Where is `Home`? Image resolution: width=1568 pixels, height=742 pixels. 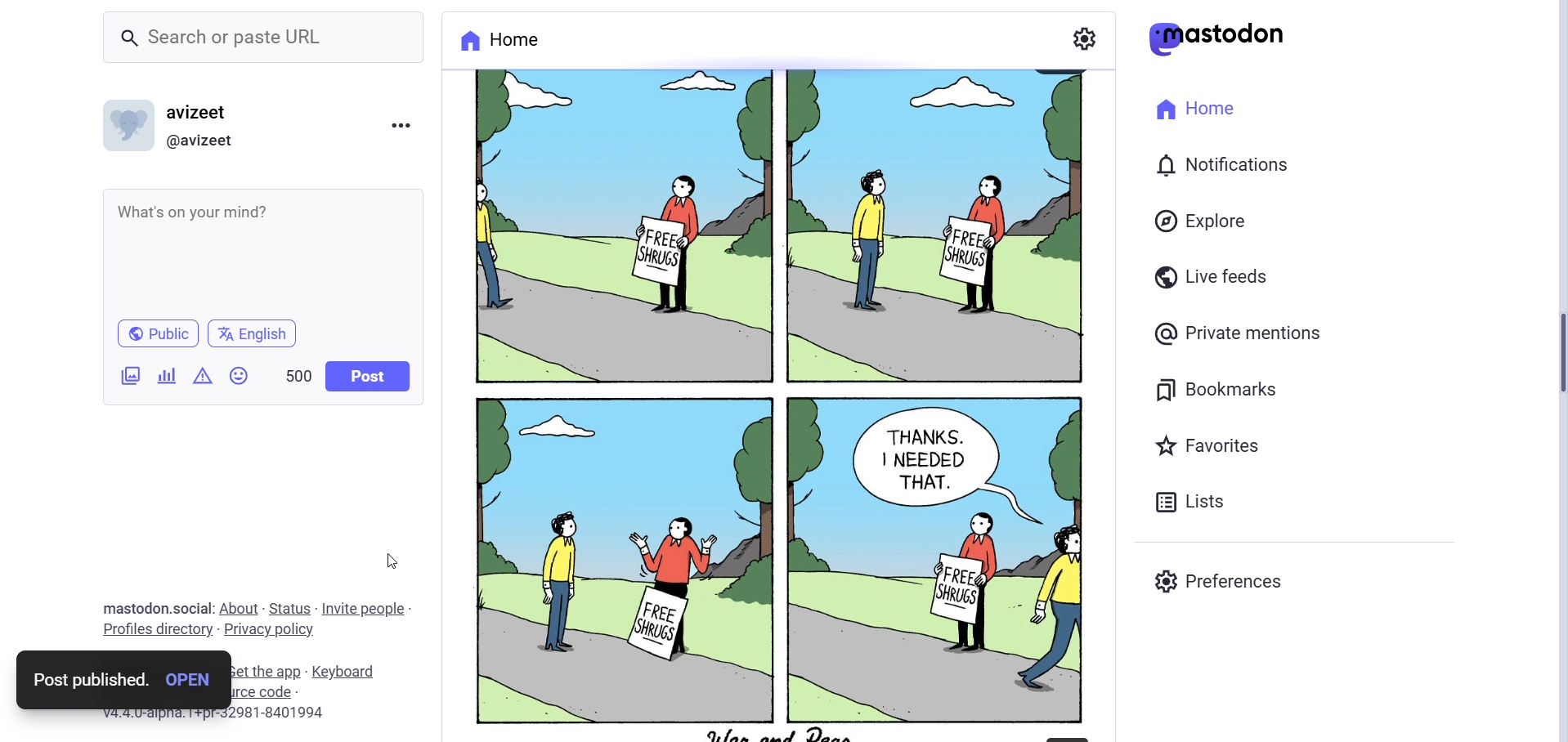 Home is located at coordinates (1198, 111).